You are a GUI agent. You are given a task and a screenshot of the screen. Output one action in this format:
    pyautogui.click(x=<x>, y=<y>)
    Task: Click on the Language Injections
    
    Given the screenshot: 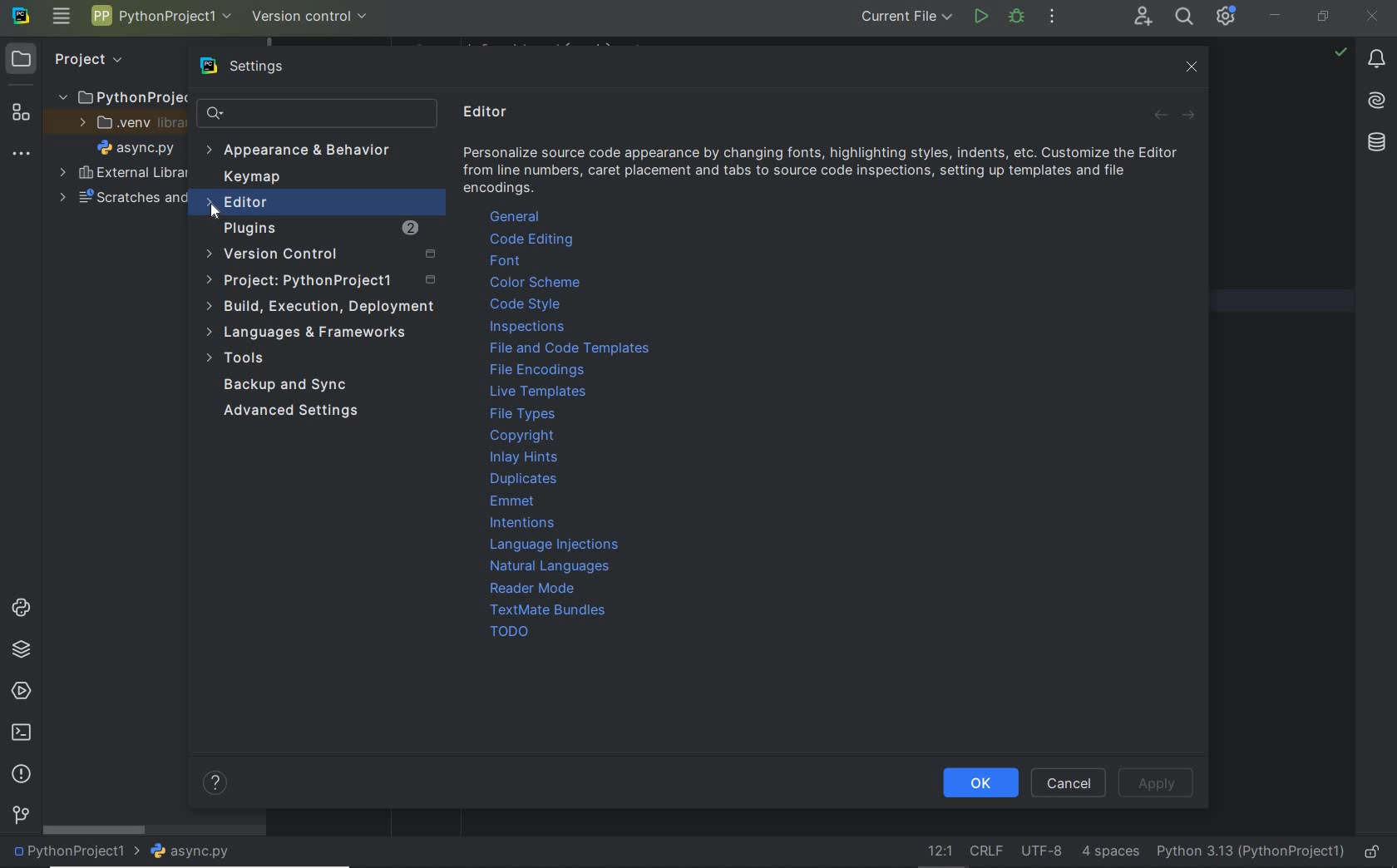 What is the action you would take?
    pyautogui.click(x=555, y=545)
    